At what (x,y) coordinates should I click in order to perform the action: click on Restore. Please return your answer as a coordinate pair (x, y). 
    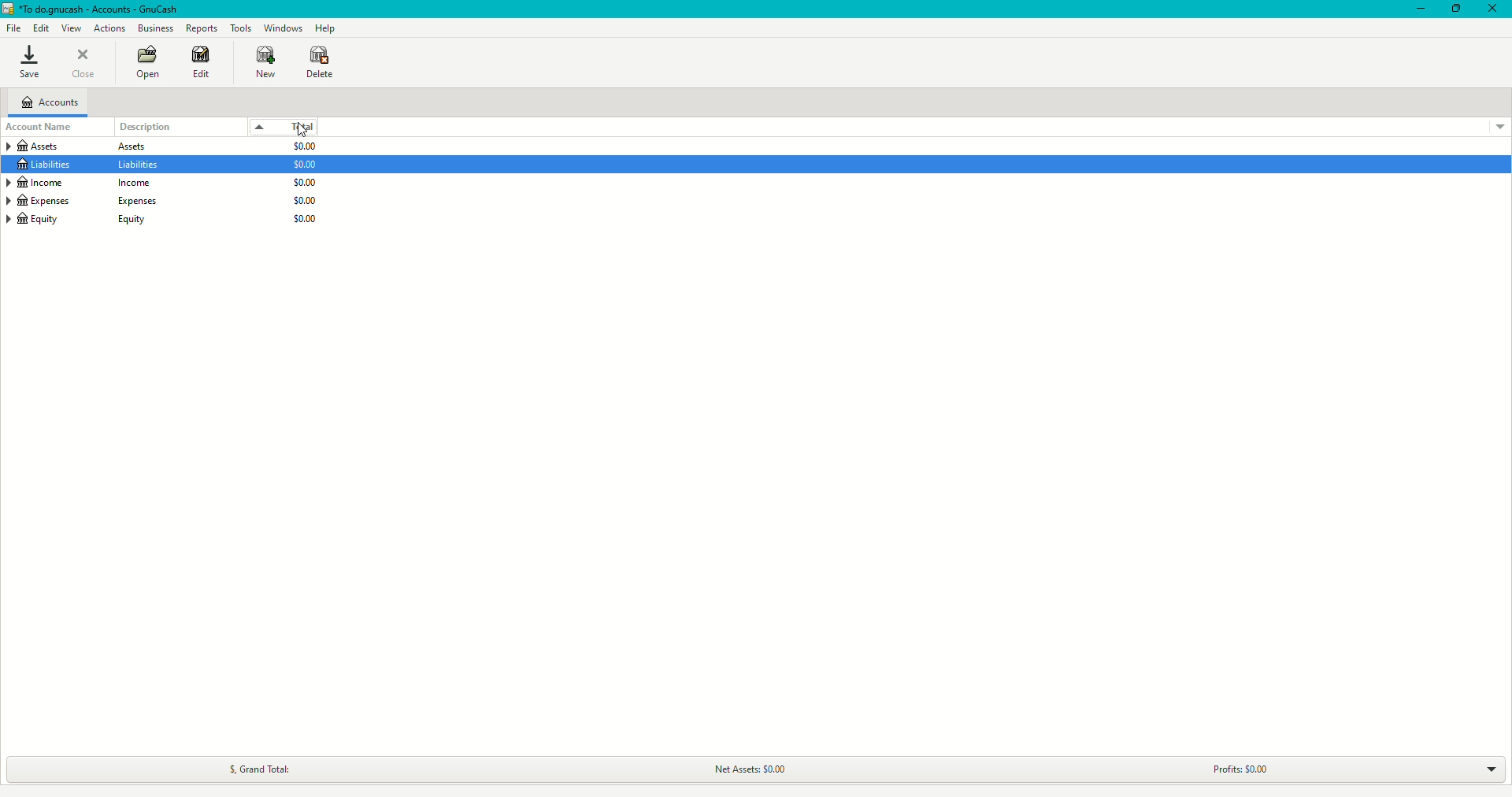
    Looking at the image, I should click on (1455, 8).